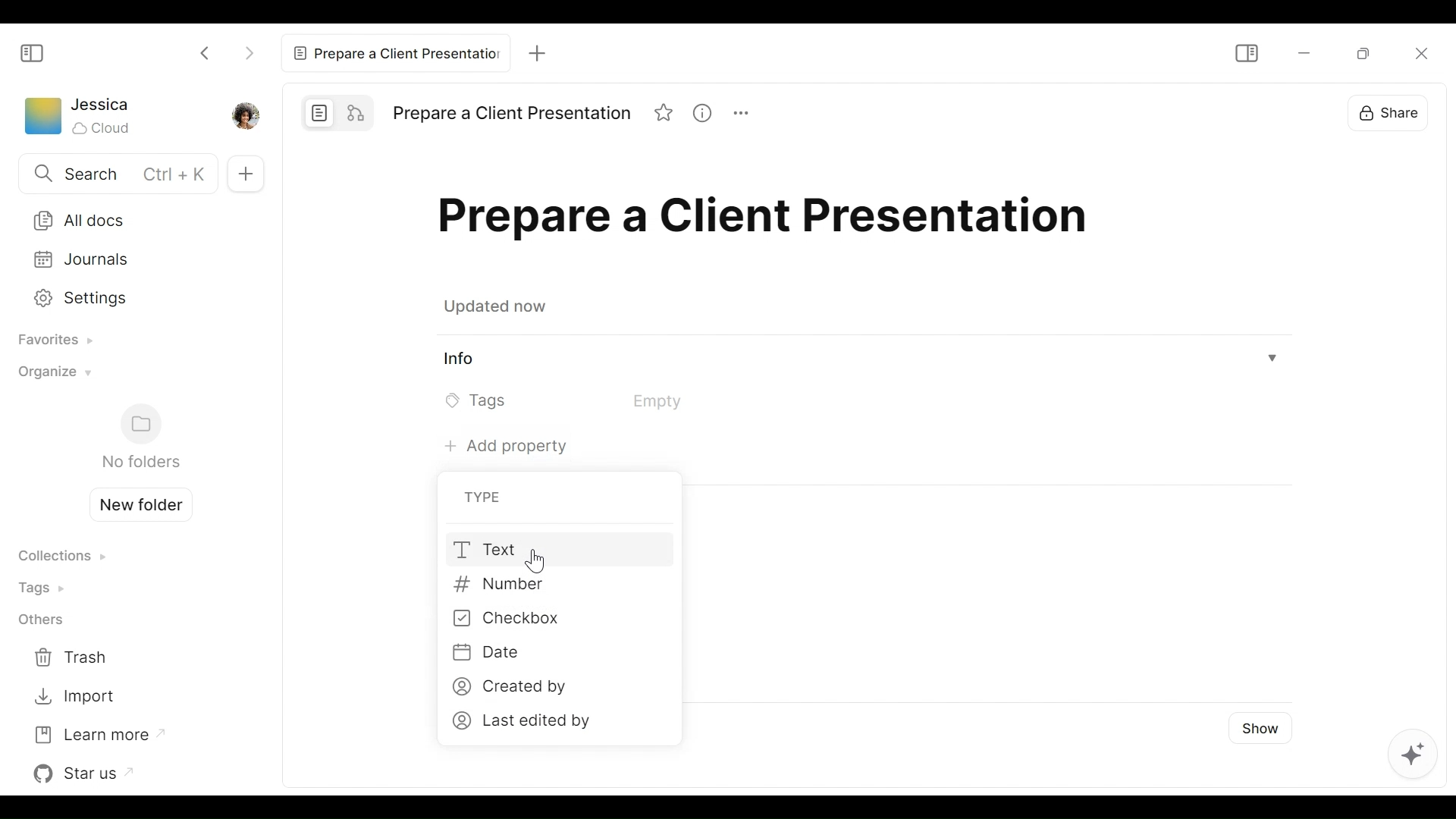  I want to click on Show/Hide Sidebar, so click(33, 52).